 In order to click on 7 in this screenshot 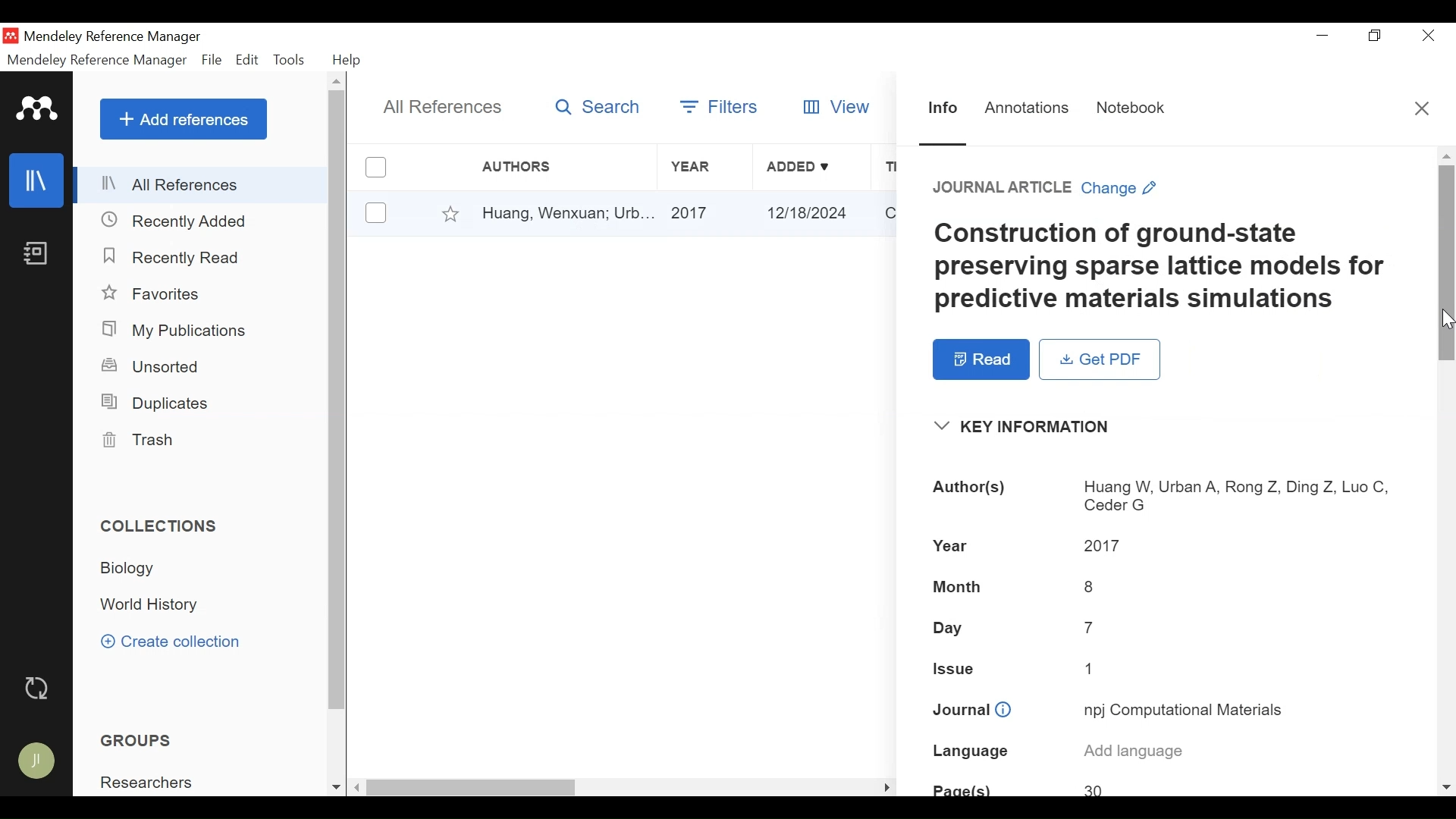, I will do `click(1091, 626)`.